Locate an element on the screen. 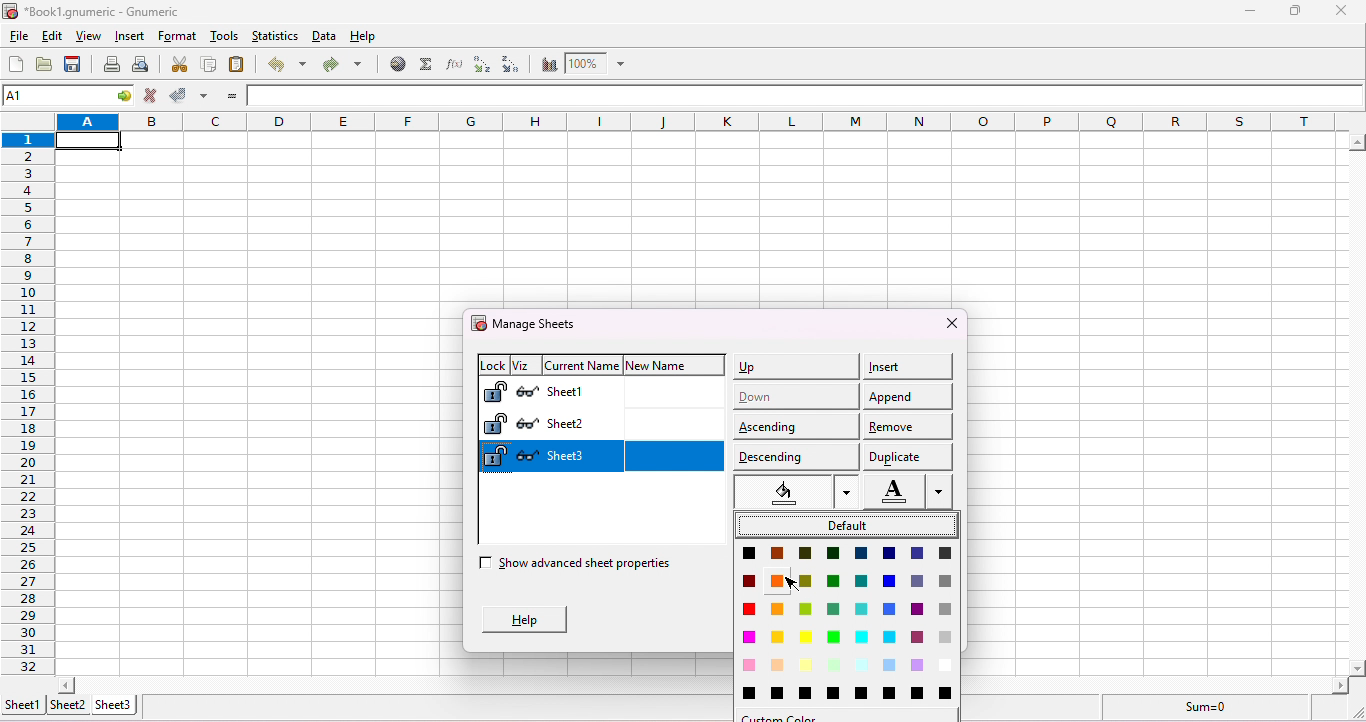  select color is located at coordinates (799, 491).